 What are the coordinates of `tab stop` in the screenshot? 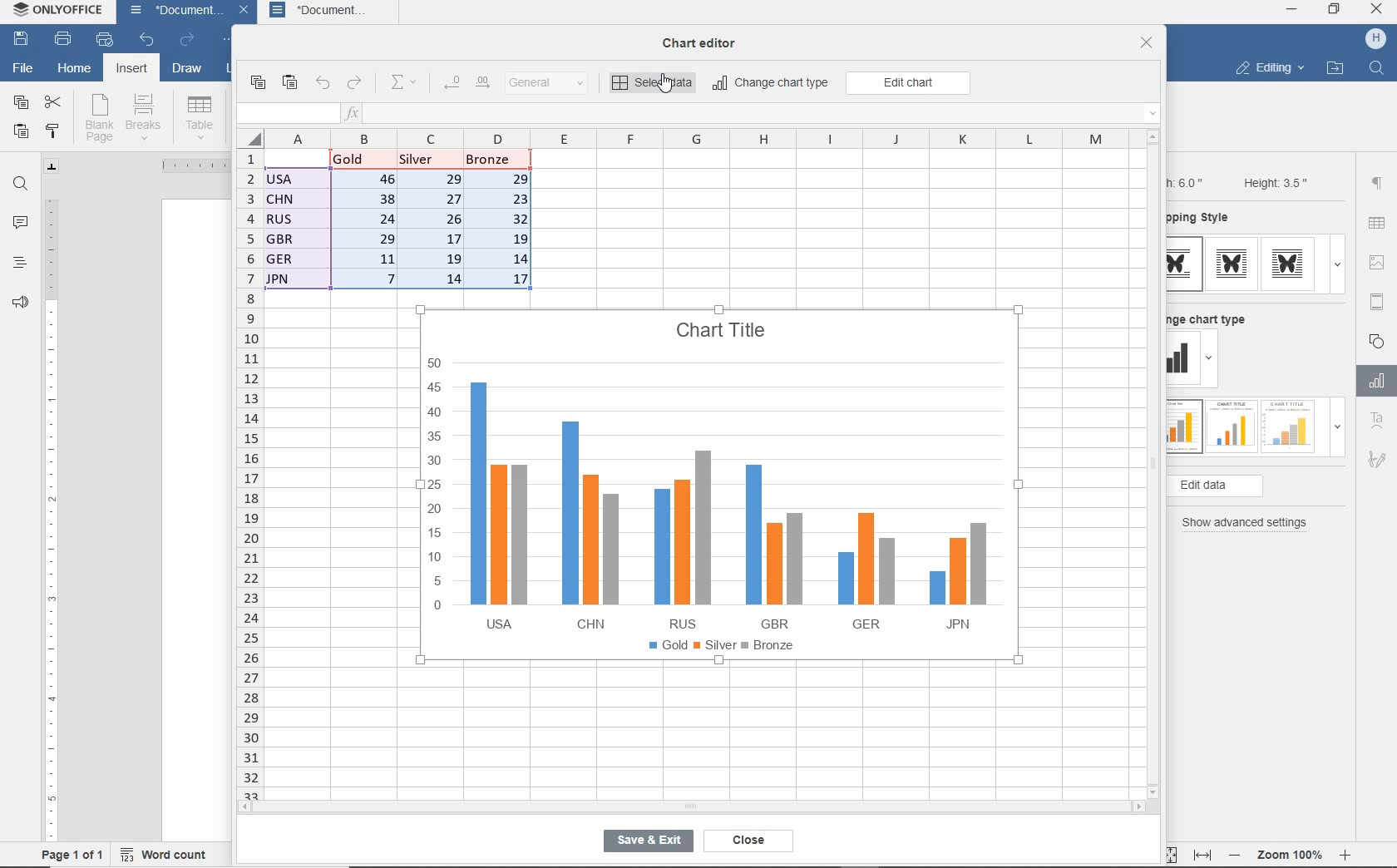 It's located at (52, 166).